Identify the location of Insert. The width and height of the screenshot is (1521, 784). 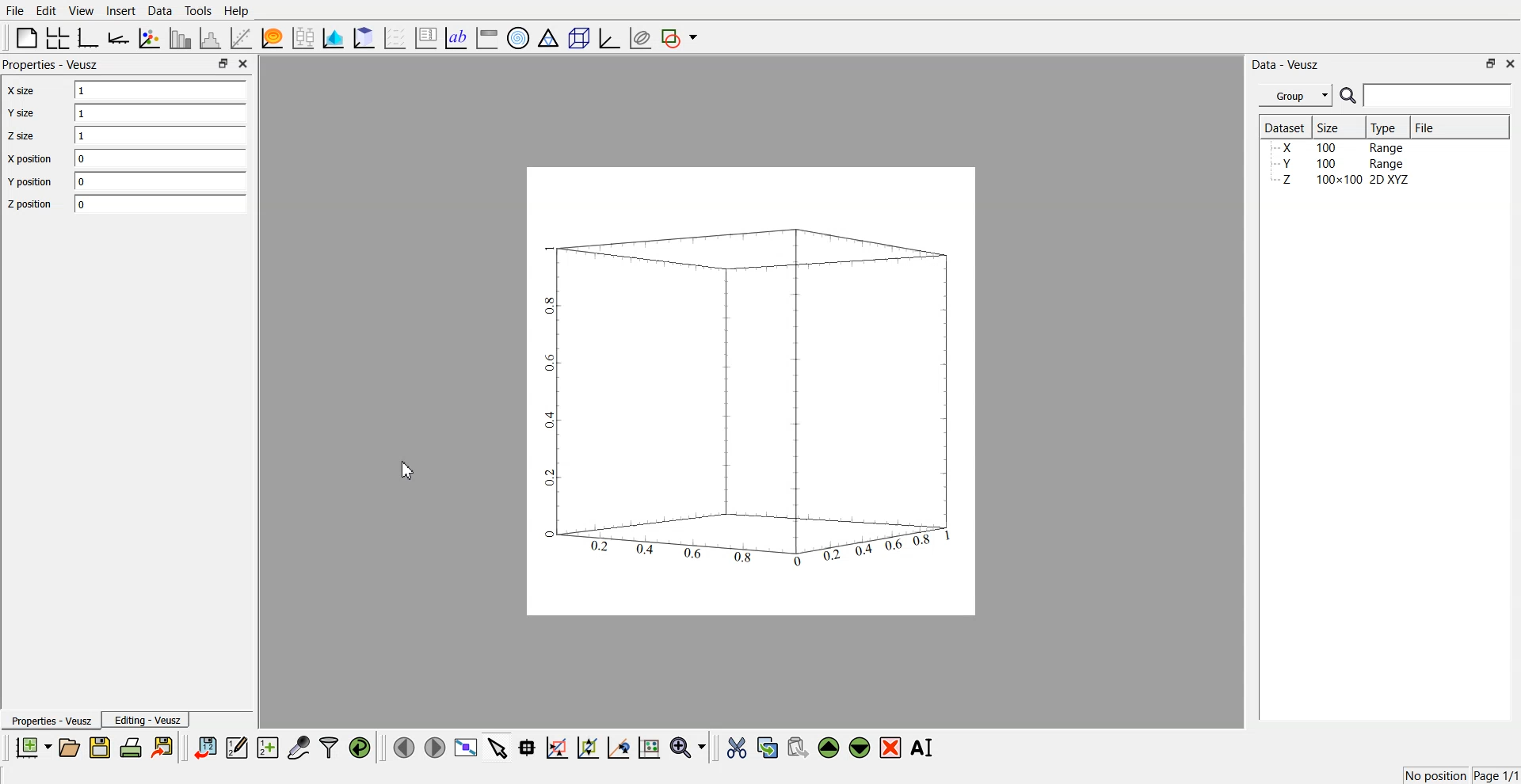
(120, 10).